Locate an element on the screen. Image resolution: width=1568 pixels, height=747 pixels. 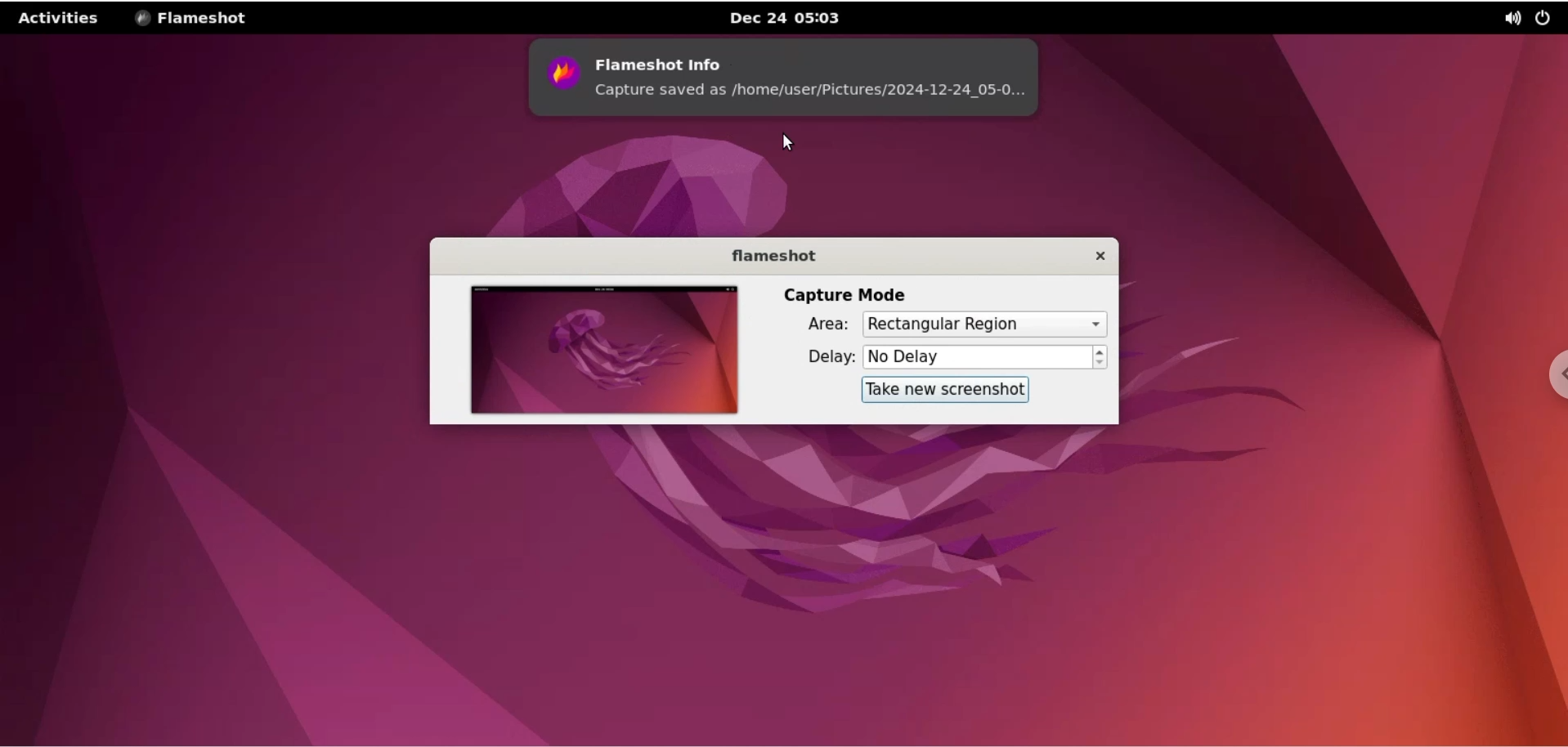
area options is located at coordinates (985, 324).